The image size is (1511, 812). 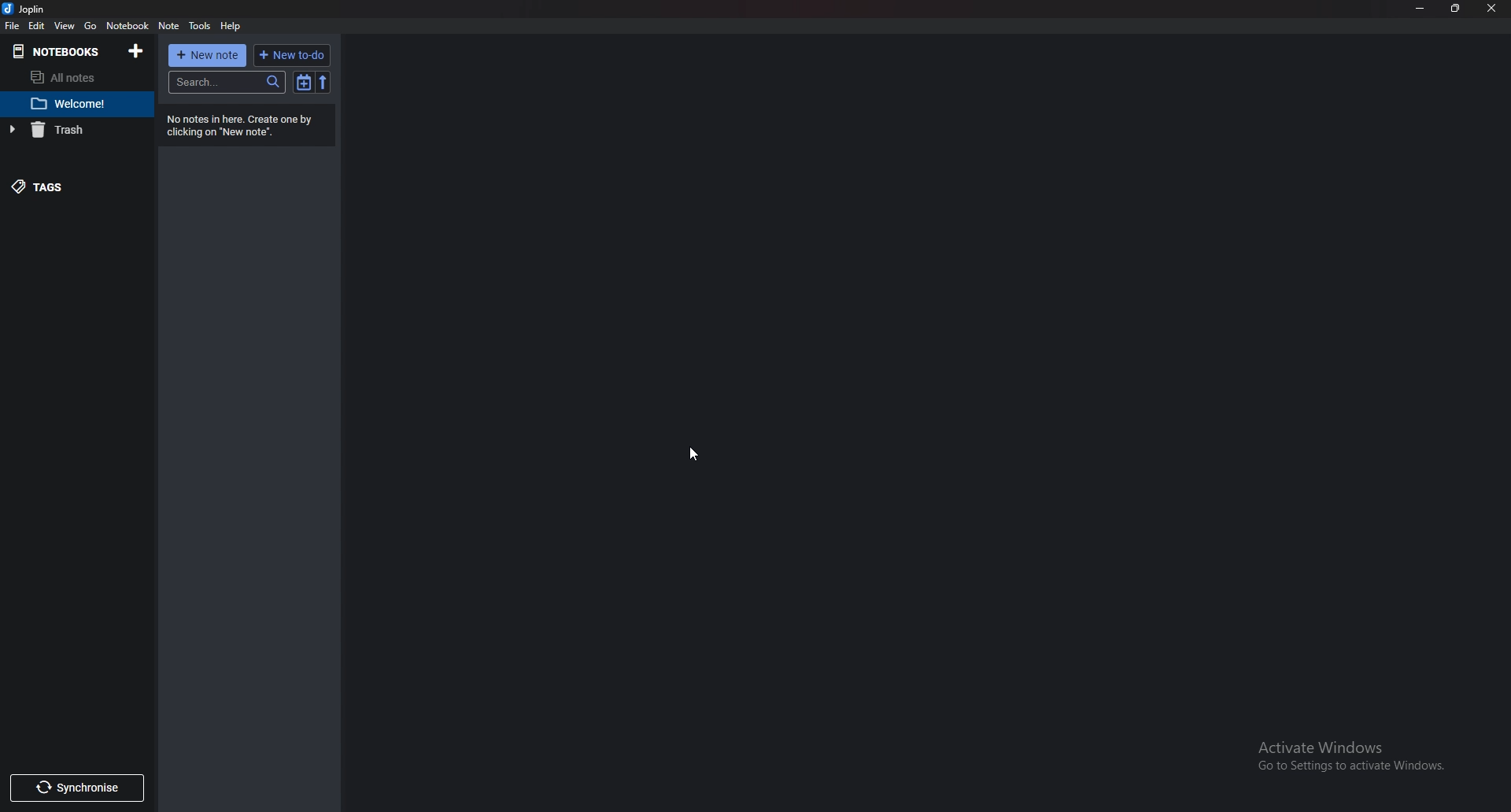 I want to click on No notes in here. Create one by clicking on 'new note'., so click(x=249, y=126).